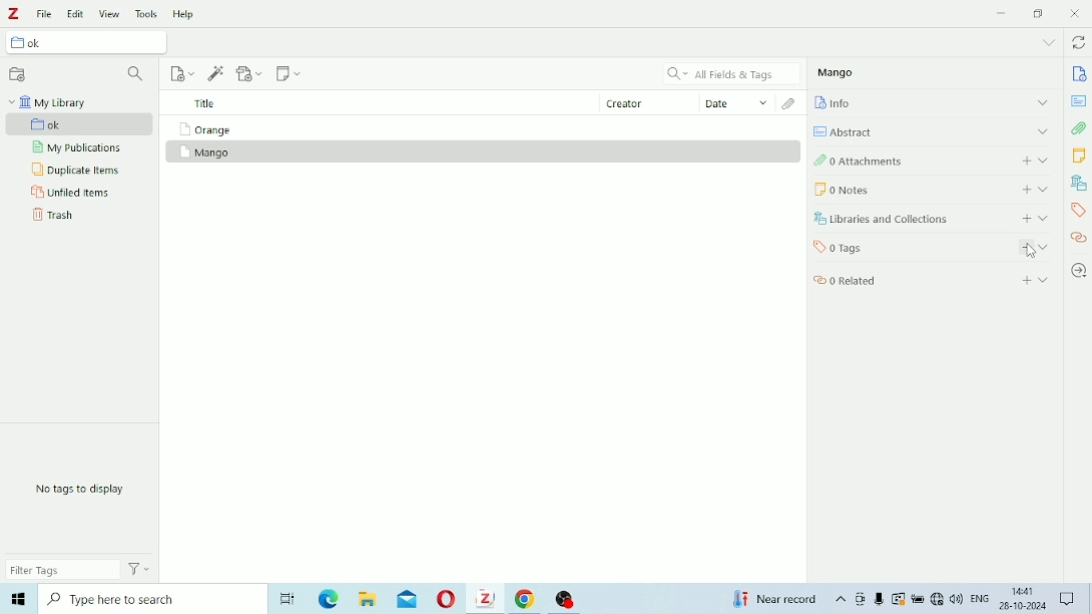 The width and height of the screenshot is (1092, 614). Describe the element at coordinates (1078, 183) in the screenshot. I see `Libraries and Collections` at that location.